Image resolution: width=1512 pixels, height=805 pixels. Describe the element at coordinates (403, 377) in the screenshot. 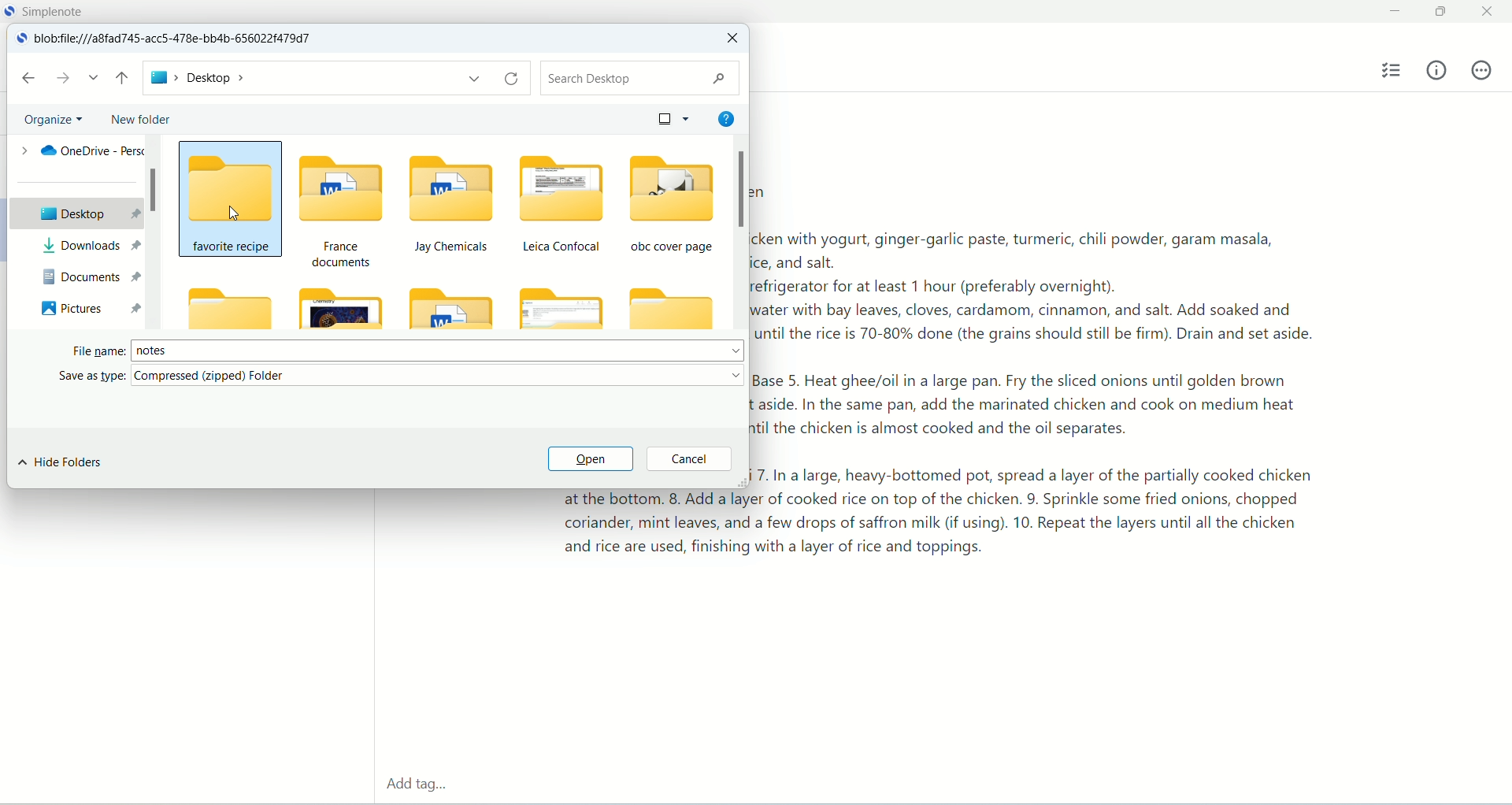

I see `save as type` at that location.